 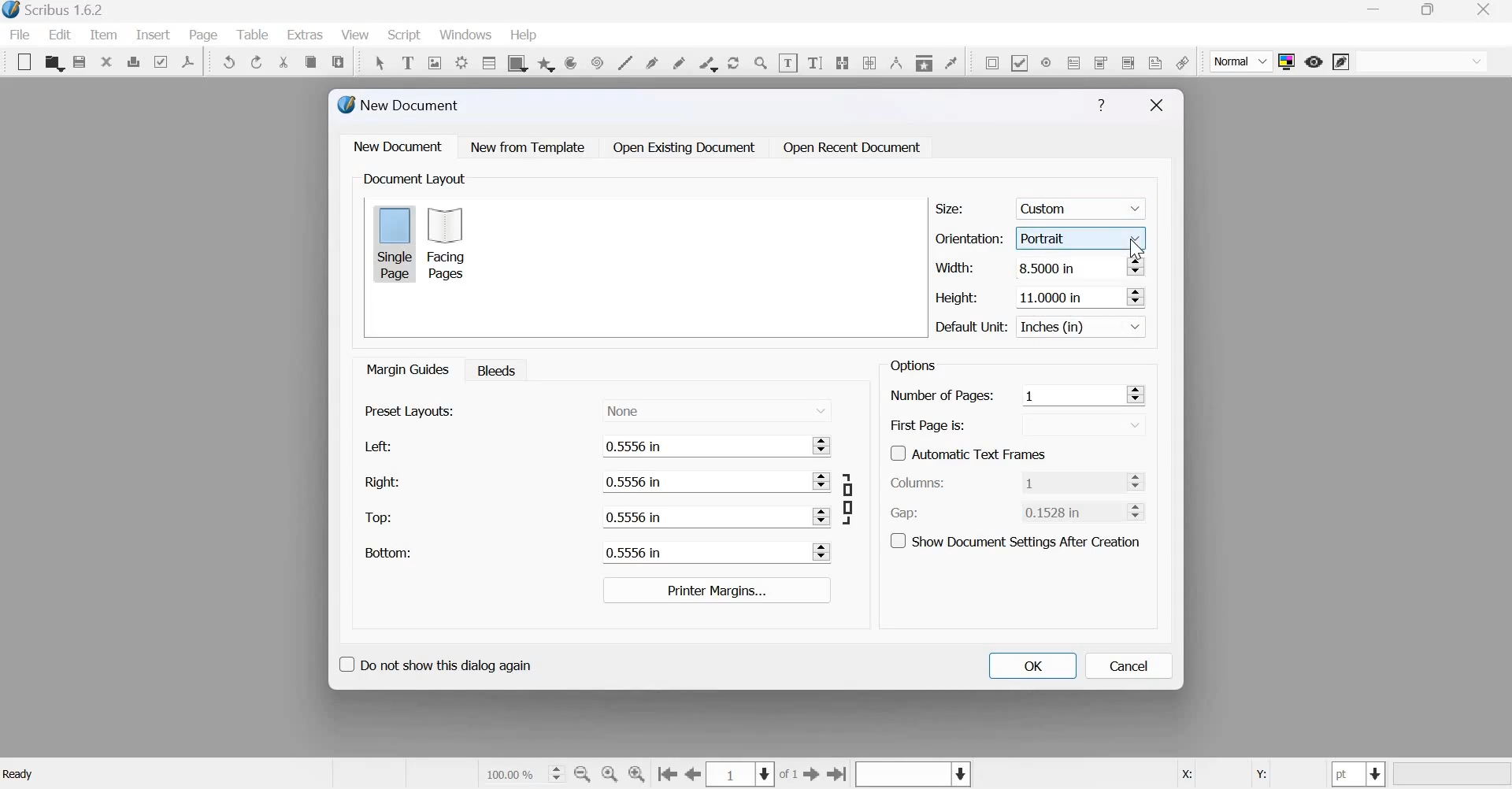 What do you see at coordinates (20, 62) in the screenshot?
I see `New` at bounding box center [20, 62].